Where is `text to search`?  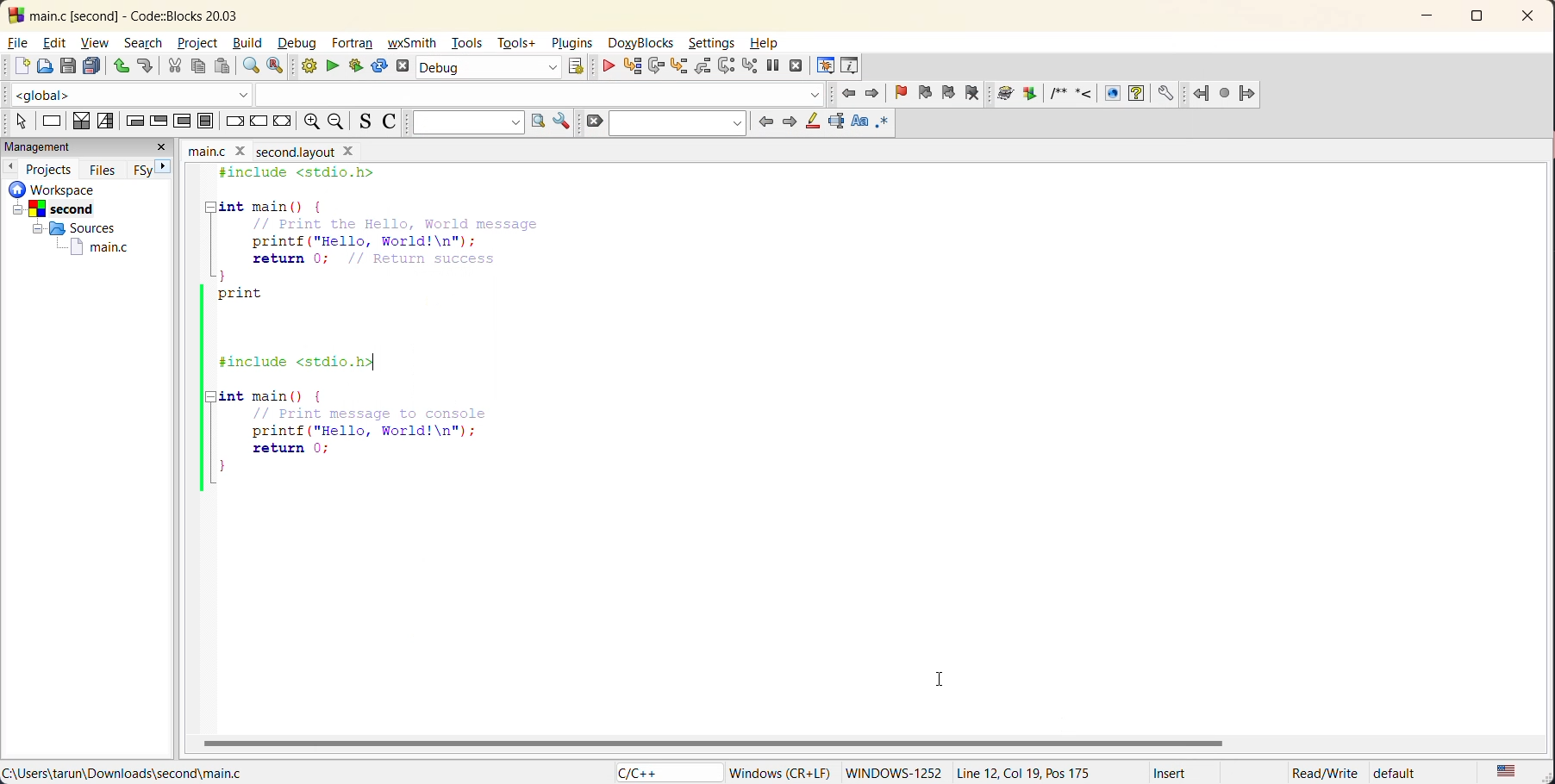 text to search is located at coordinates (465, 121).